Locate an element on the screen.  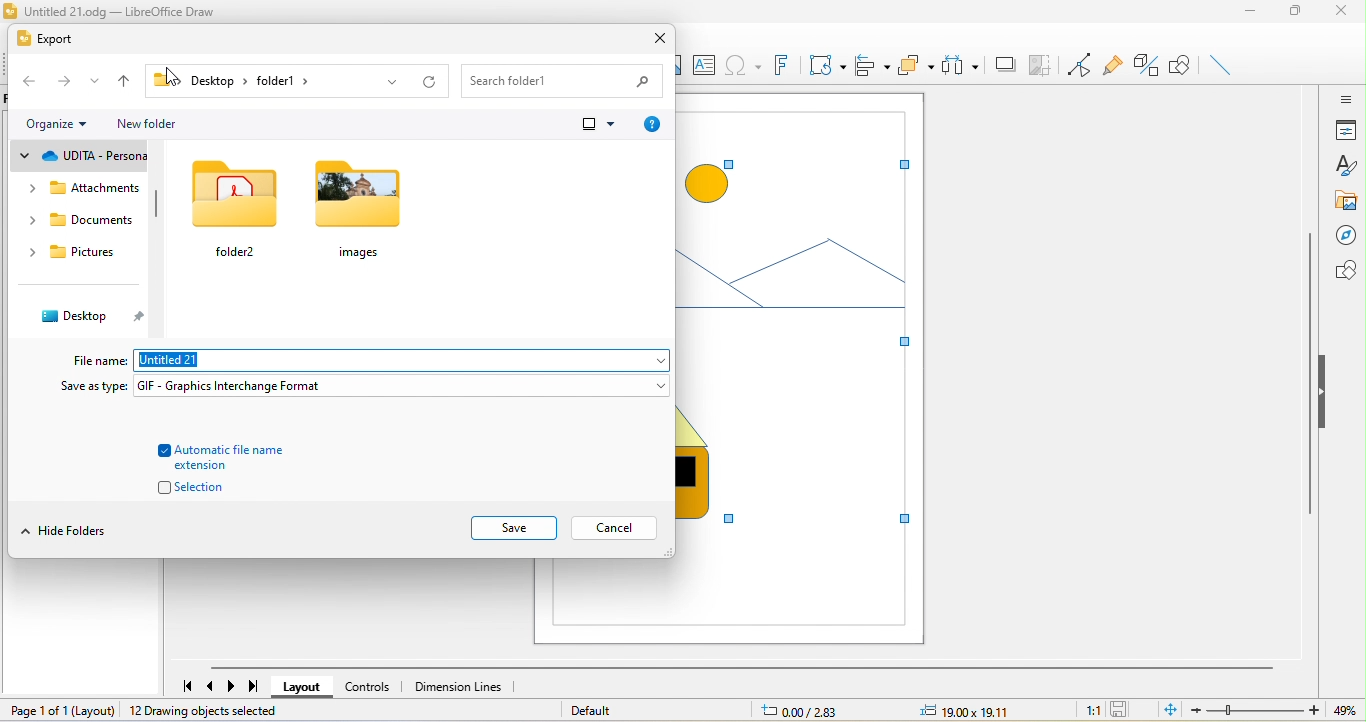
close is located at coordinates (1344, 12).